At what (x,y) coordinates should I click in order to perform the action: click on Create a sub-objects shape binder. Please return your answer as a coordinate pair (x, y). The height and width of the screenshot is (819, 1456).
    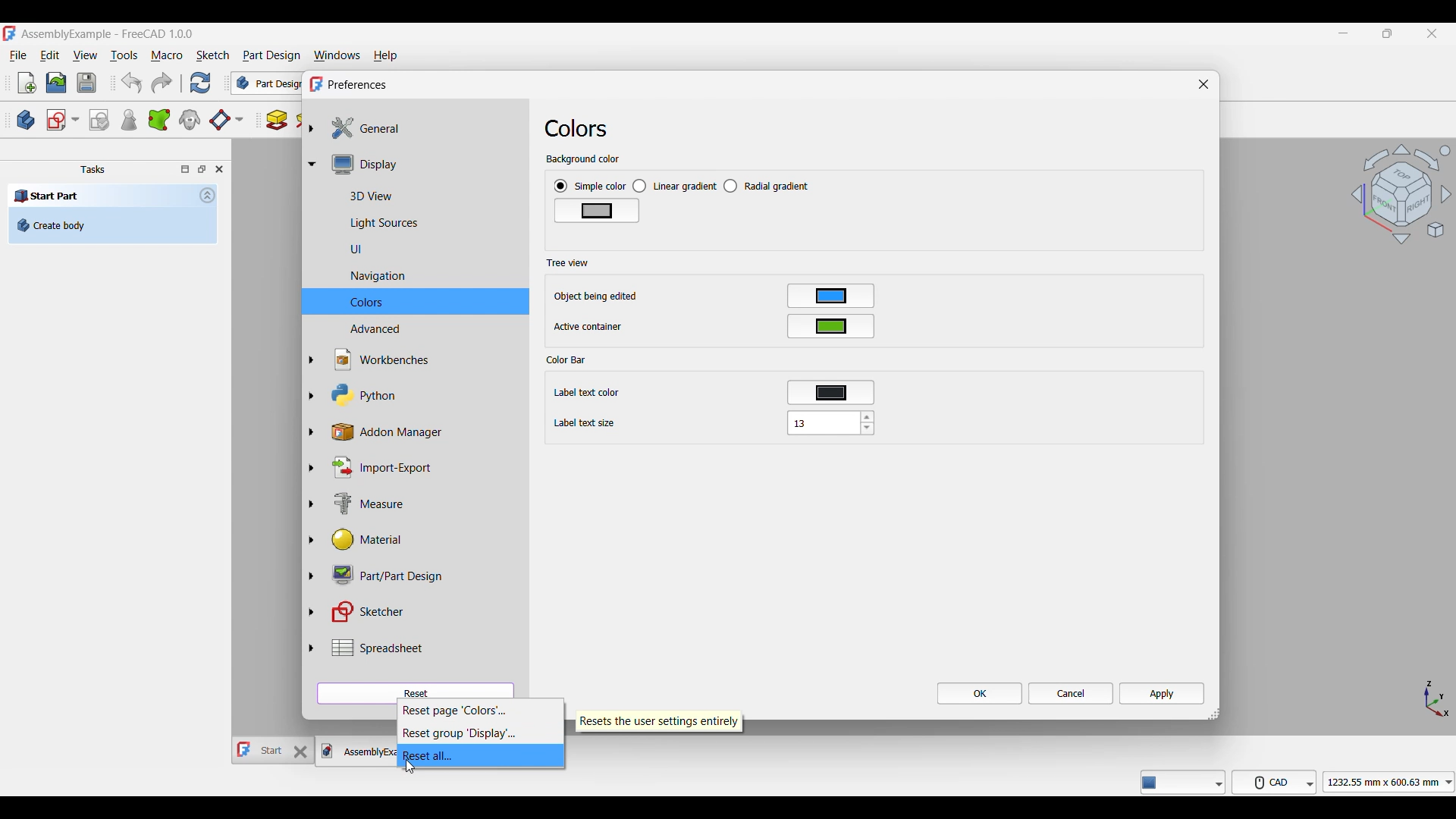
    Looking at the image, I should click on (158, 120).